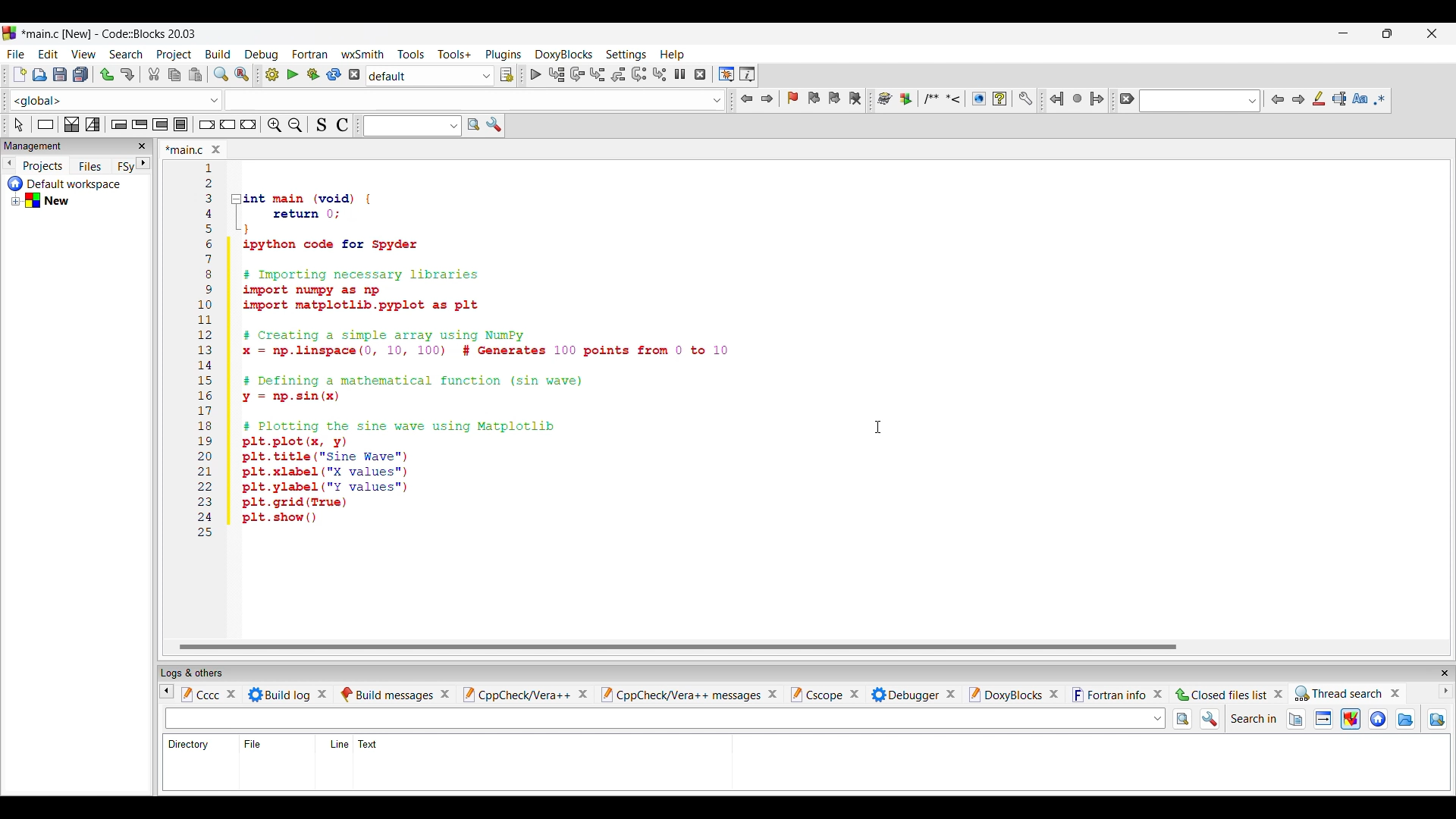 The image size is (1456, 819). What do you see at coordinates (12, 33) in the screenshot?
I see `codeblock logo` at bounding box center [12, 33].